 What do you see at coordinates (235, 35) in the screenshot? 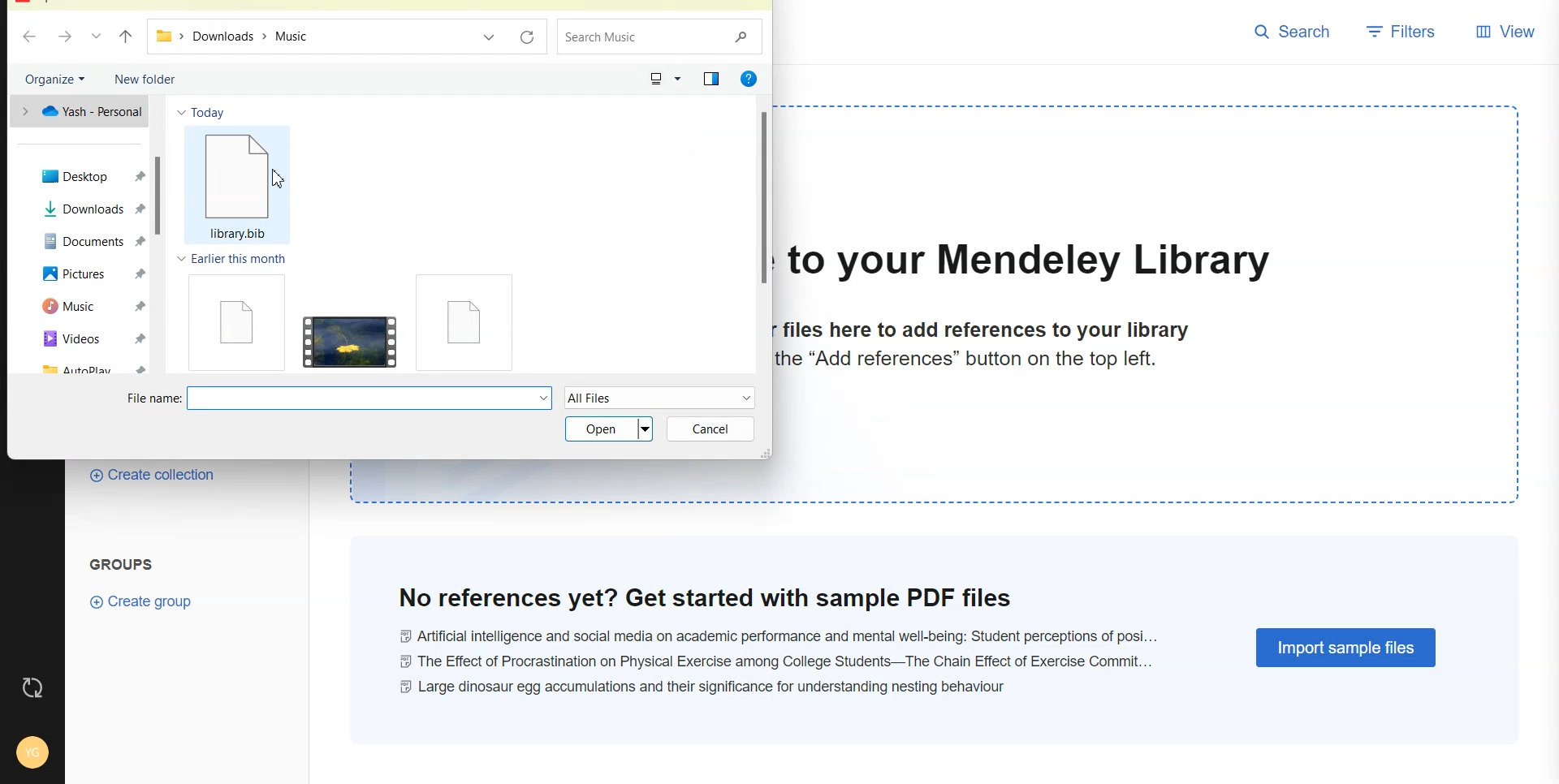
I see `File Path address` at bounding box center [235, 35].